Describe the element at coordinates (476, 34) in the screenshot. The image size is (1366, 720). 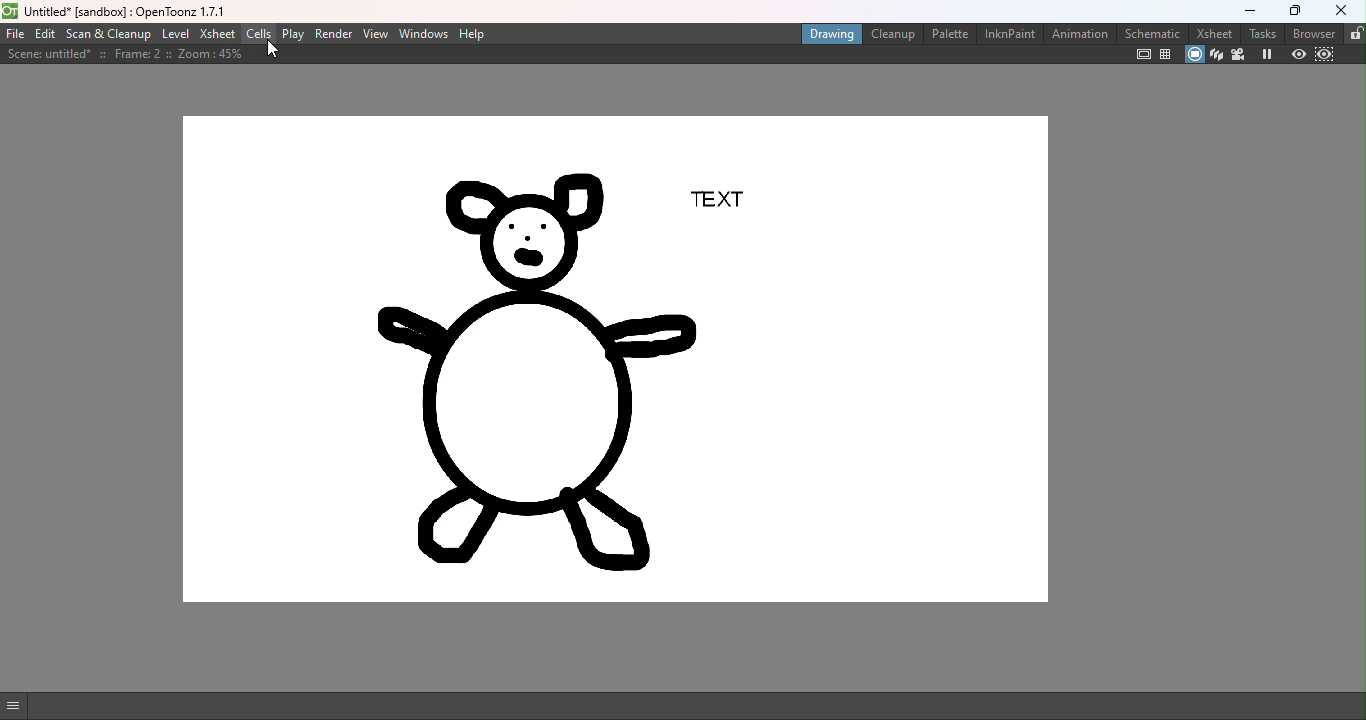
I see `Help` at that location.